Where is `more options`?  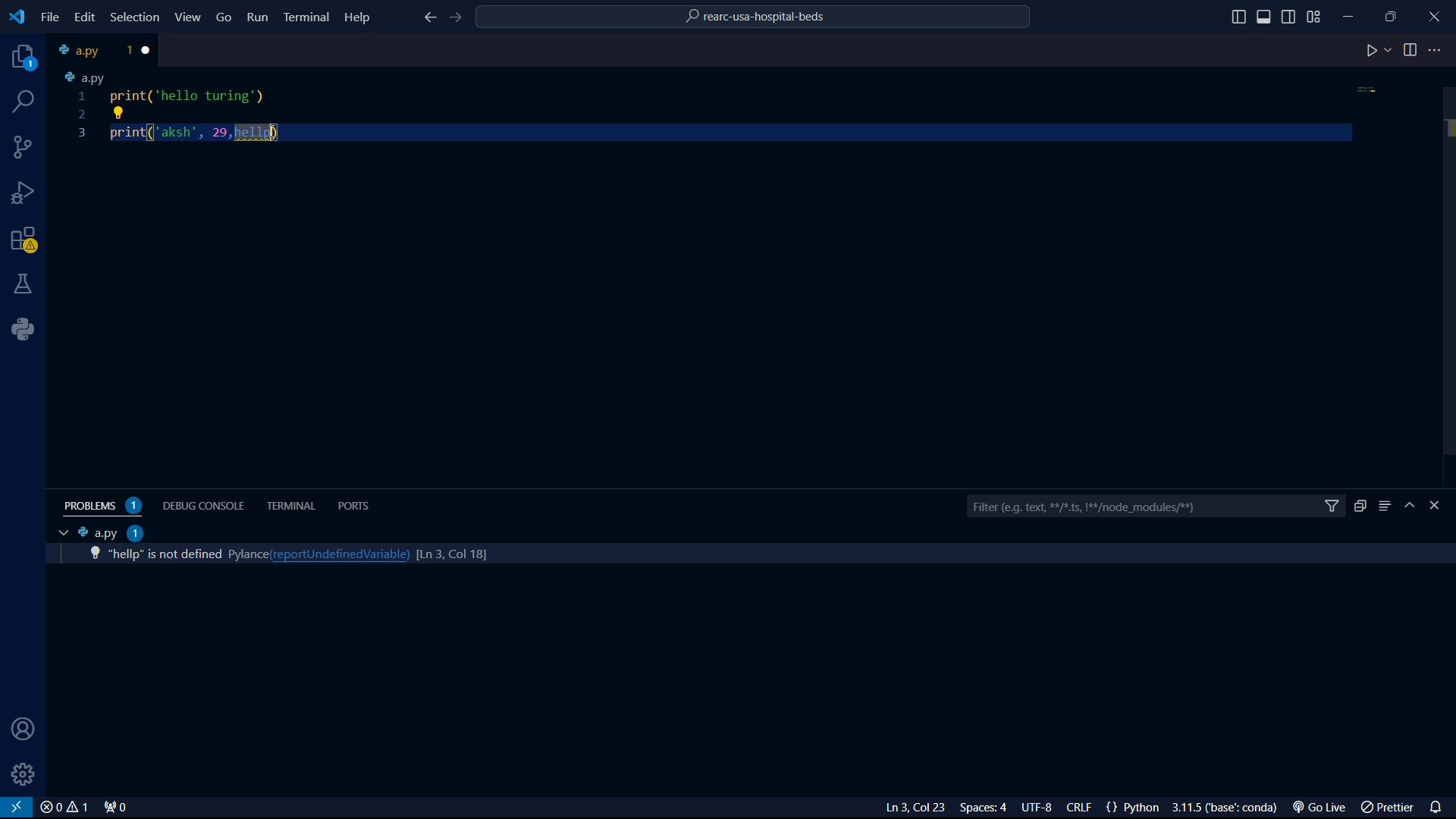
more options is located at coordinates (1437, 50).